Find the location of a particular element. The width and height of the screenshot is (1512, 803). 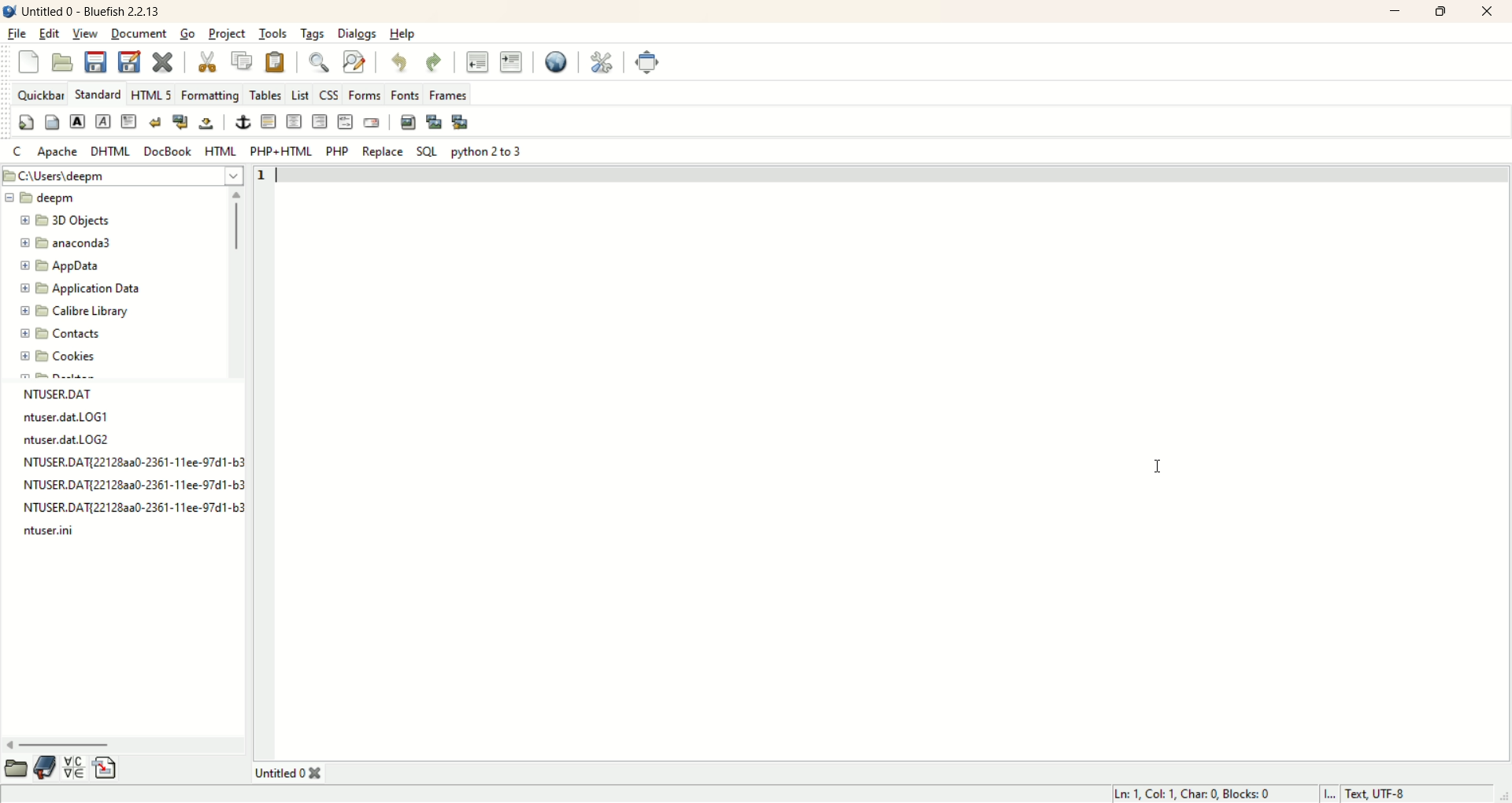

preview in browser is located at coordinates (554, 61).